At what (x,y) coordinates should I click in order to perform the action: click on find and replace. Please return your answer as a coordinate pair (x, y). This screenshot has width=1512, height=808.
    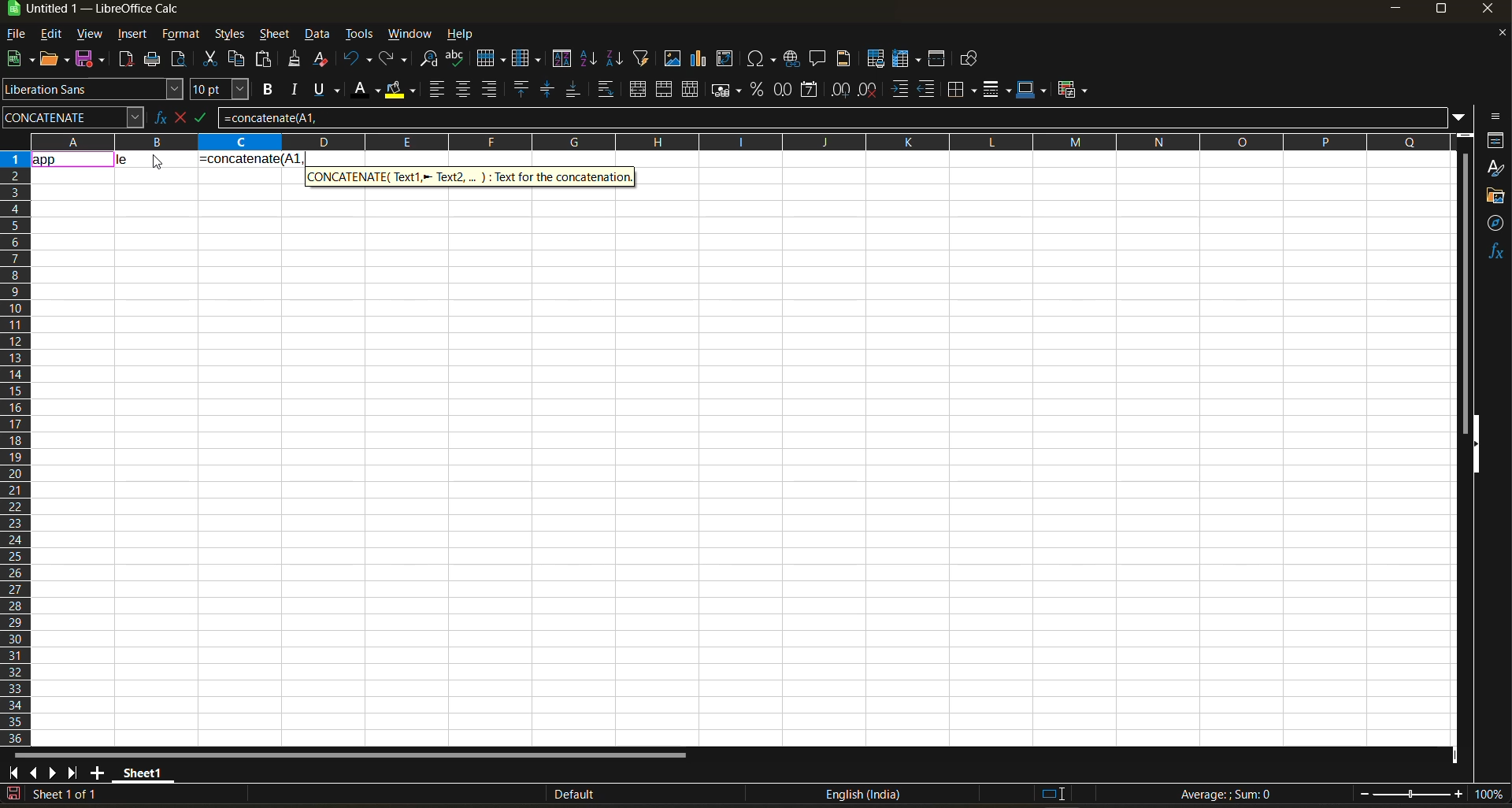
    Looking at the image, I should click on (432, 61).